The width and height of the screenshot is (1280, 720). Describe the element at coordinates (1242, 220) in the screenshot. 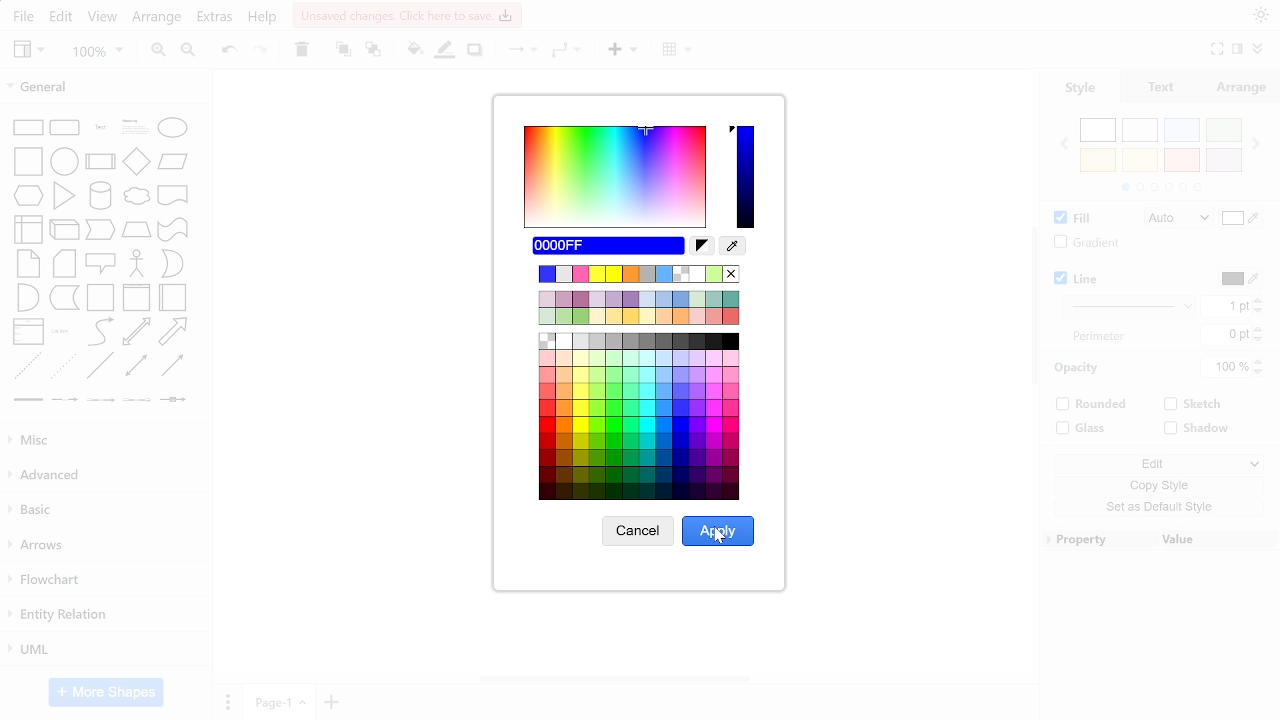

I see `fill color` at that location.